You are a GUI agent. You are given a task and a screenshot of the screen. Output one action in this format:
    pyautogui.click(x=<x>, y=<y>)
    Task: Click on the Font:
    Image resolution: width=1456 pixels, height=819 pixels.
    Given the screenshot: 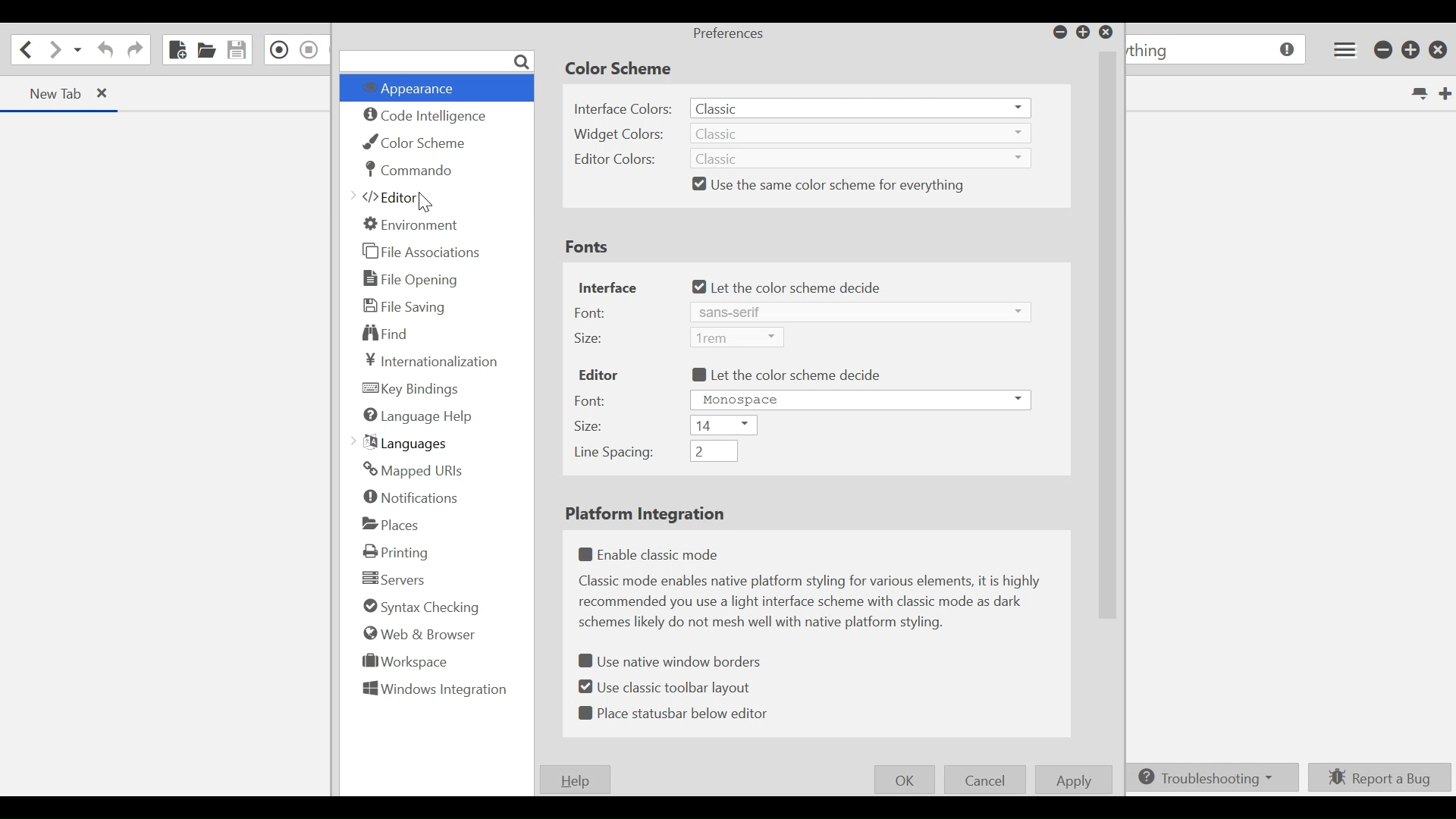 What is the action you would take?
    pyautogui.click(x=598, y=400)
    